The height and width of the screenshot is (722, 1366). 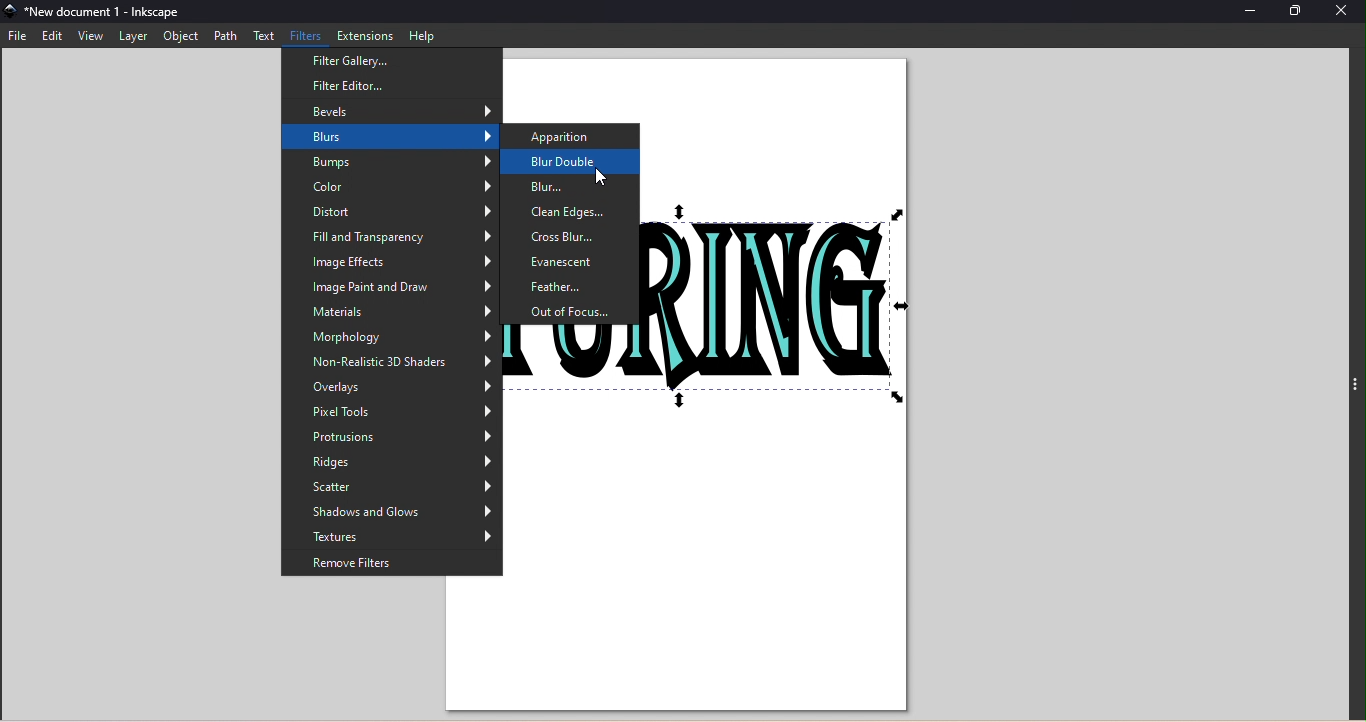 I want to click on Help, so click(x=422, y=36).